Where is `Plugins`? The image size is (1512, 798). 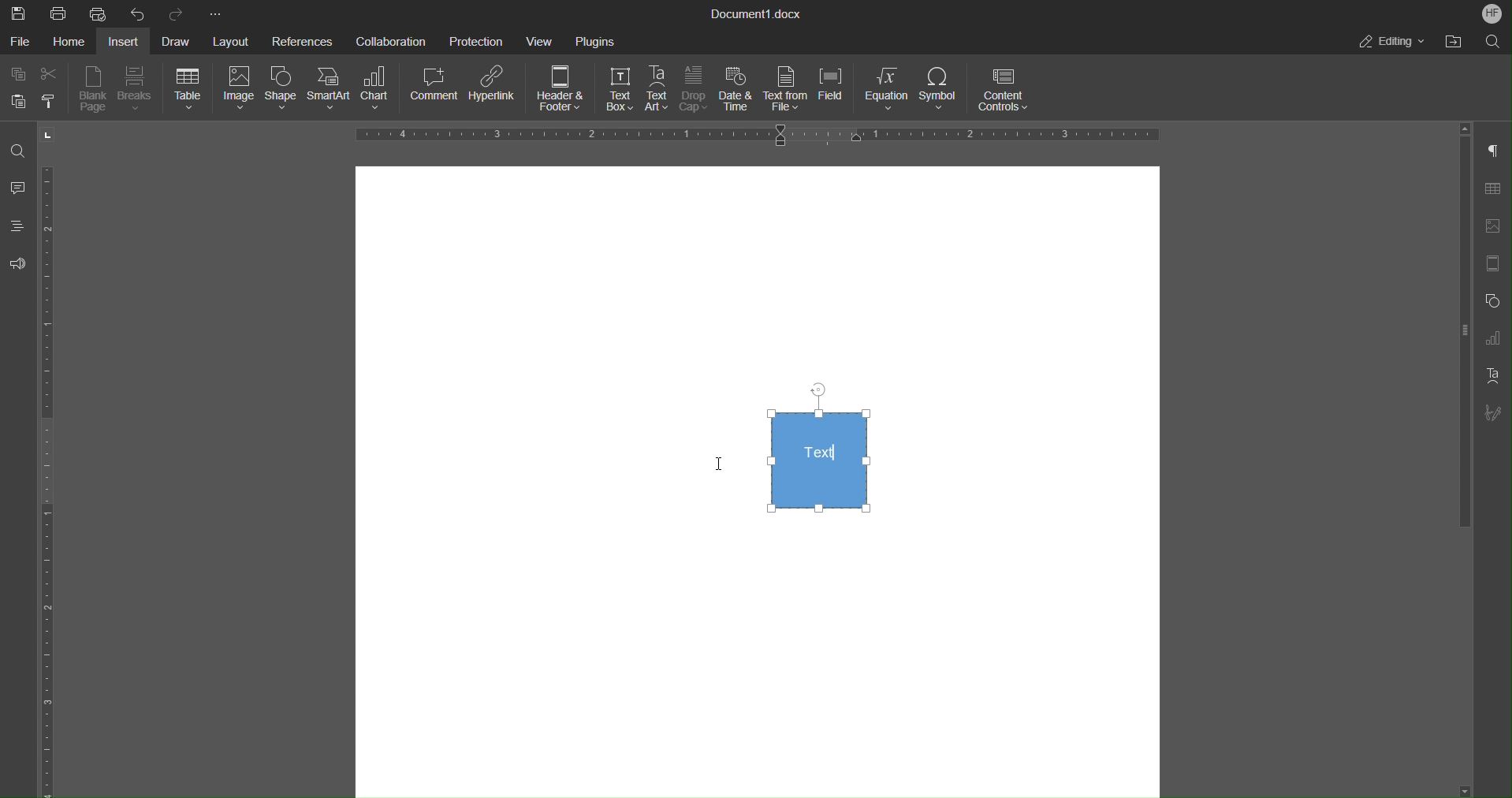
Plugins is located at coordinates (595, 40).